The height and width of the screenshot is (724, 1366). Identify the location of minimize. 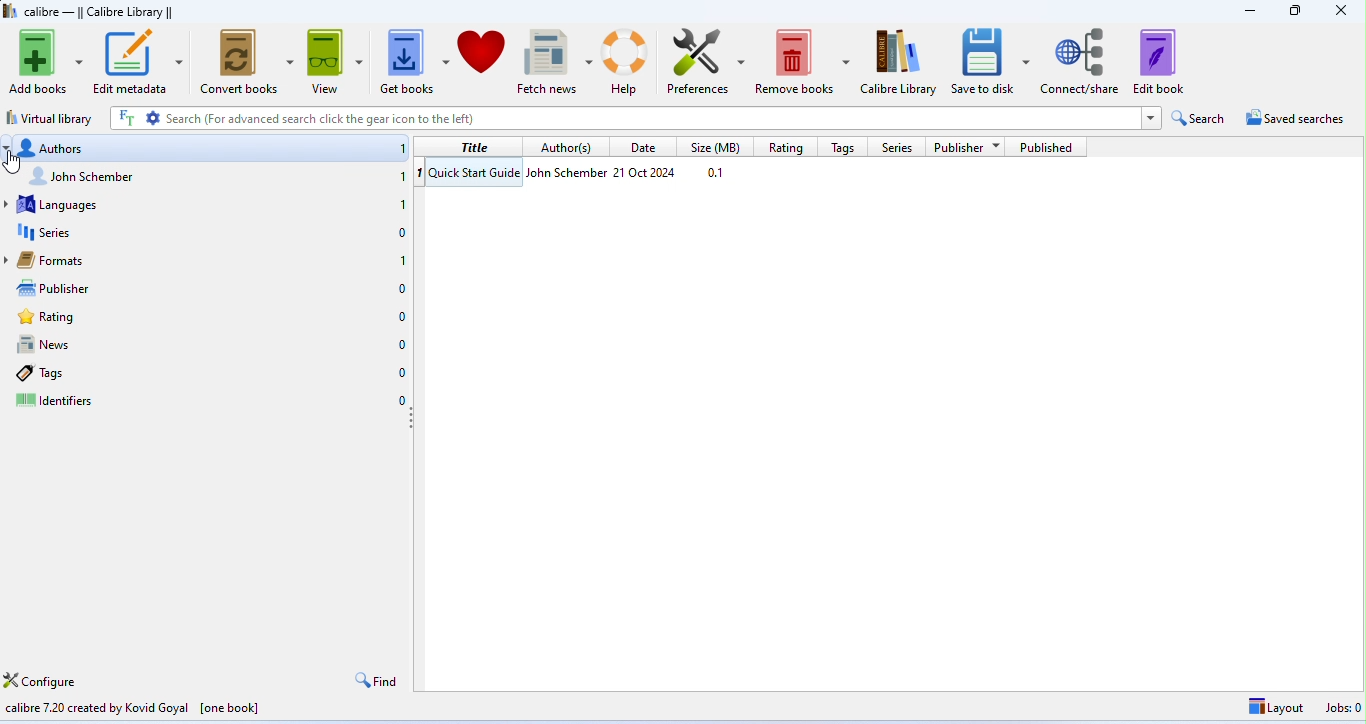
(1250, 12).